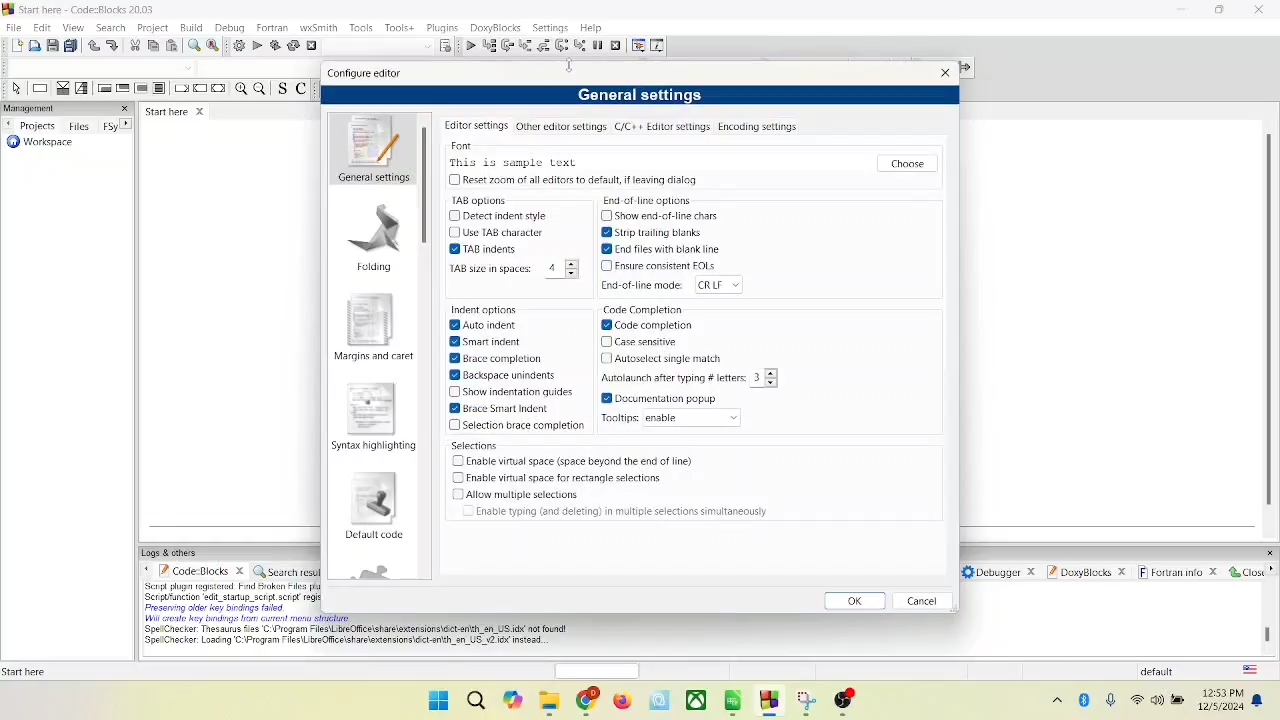 The image size is (1280, 720). I want to click on logo, so click(8, 8).